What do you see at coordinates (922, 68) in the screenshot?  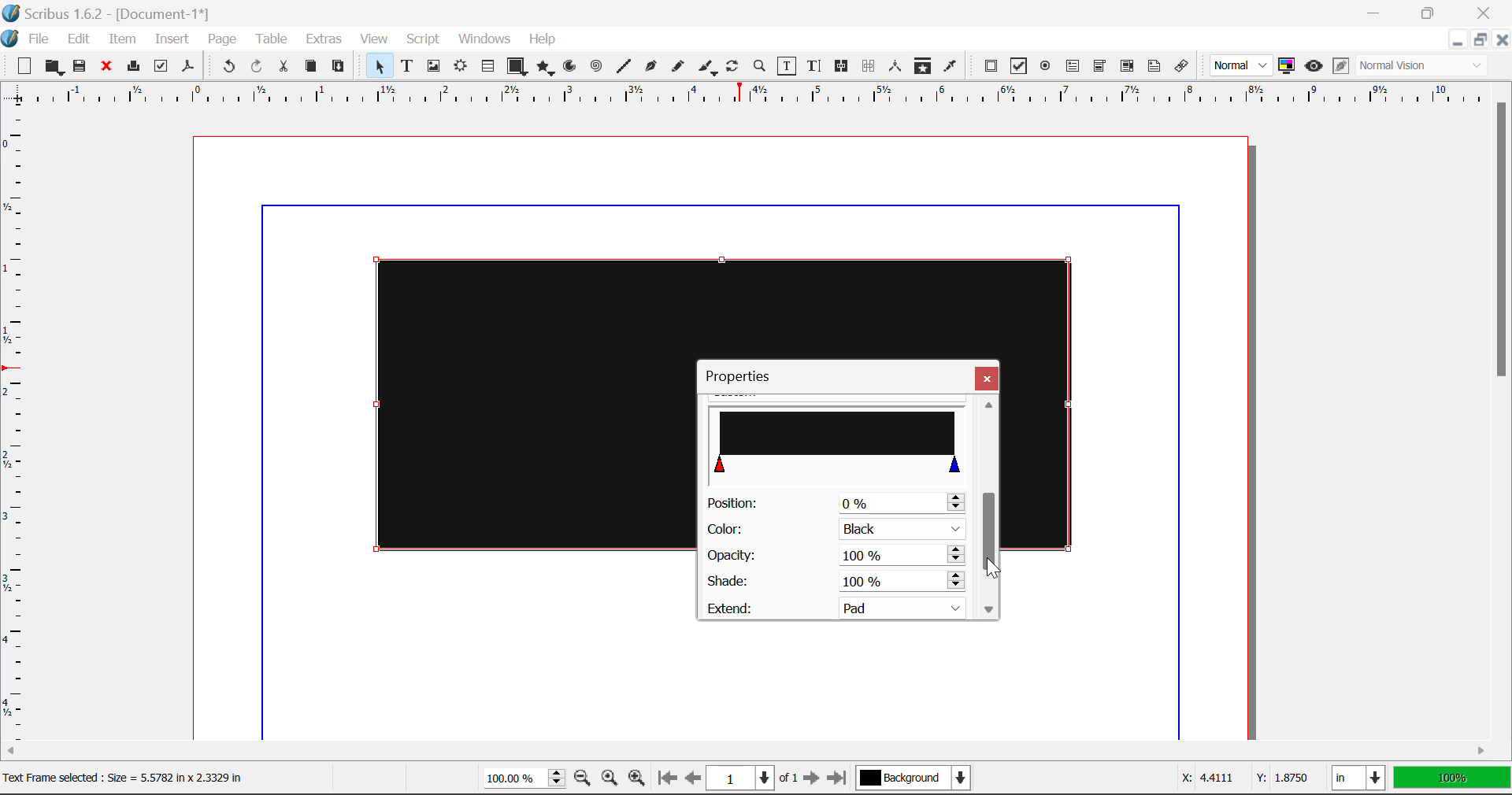 I see `Copy Item Properties` at bounding box center [922, 68].